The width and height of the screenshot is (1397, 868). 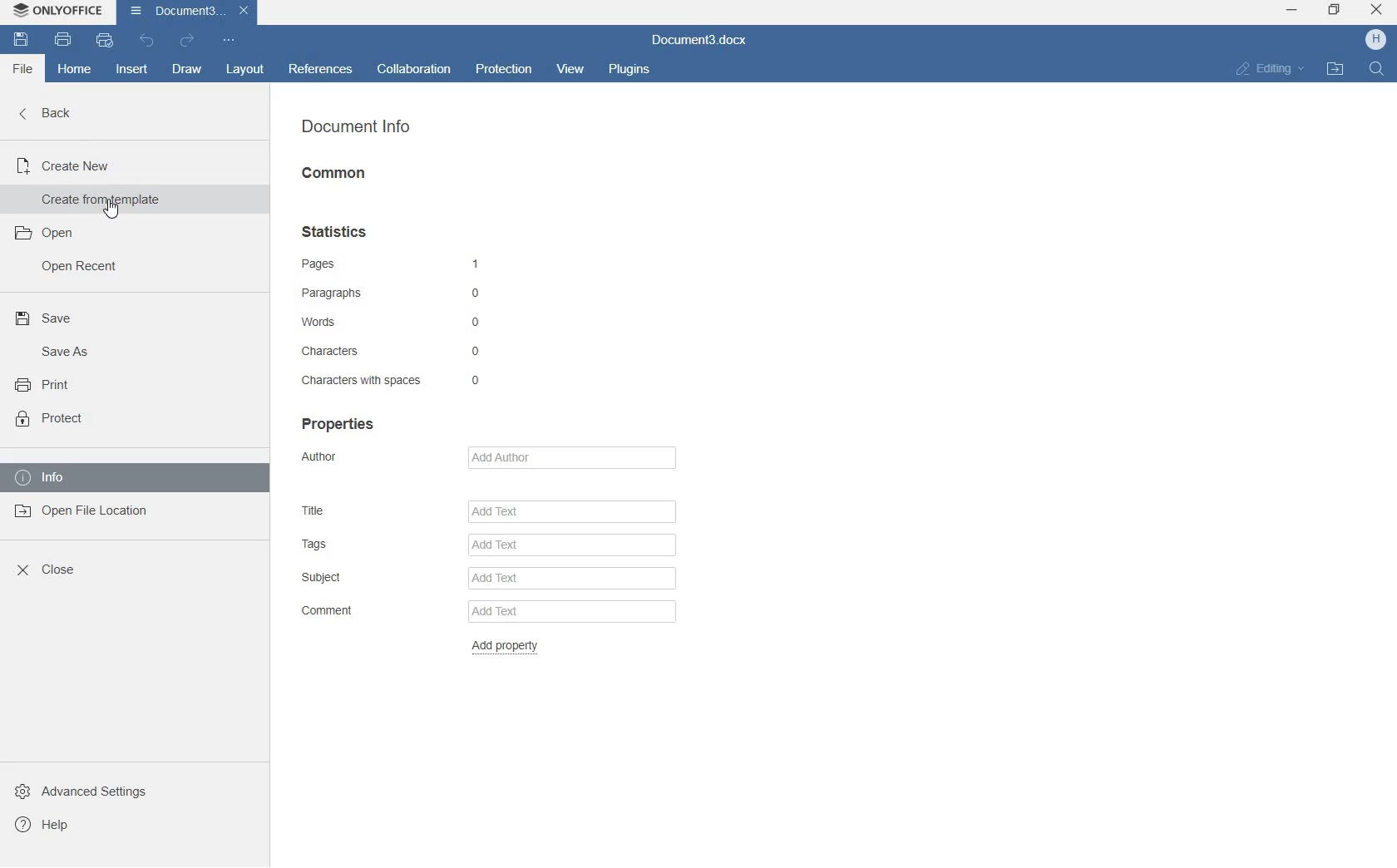 What do you see at coordinates (1274, 71) in the screenshot?
I see `editing` at bounding box center [1274, 71].